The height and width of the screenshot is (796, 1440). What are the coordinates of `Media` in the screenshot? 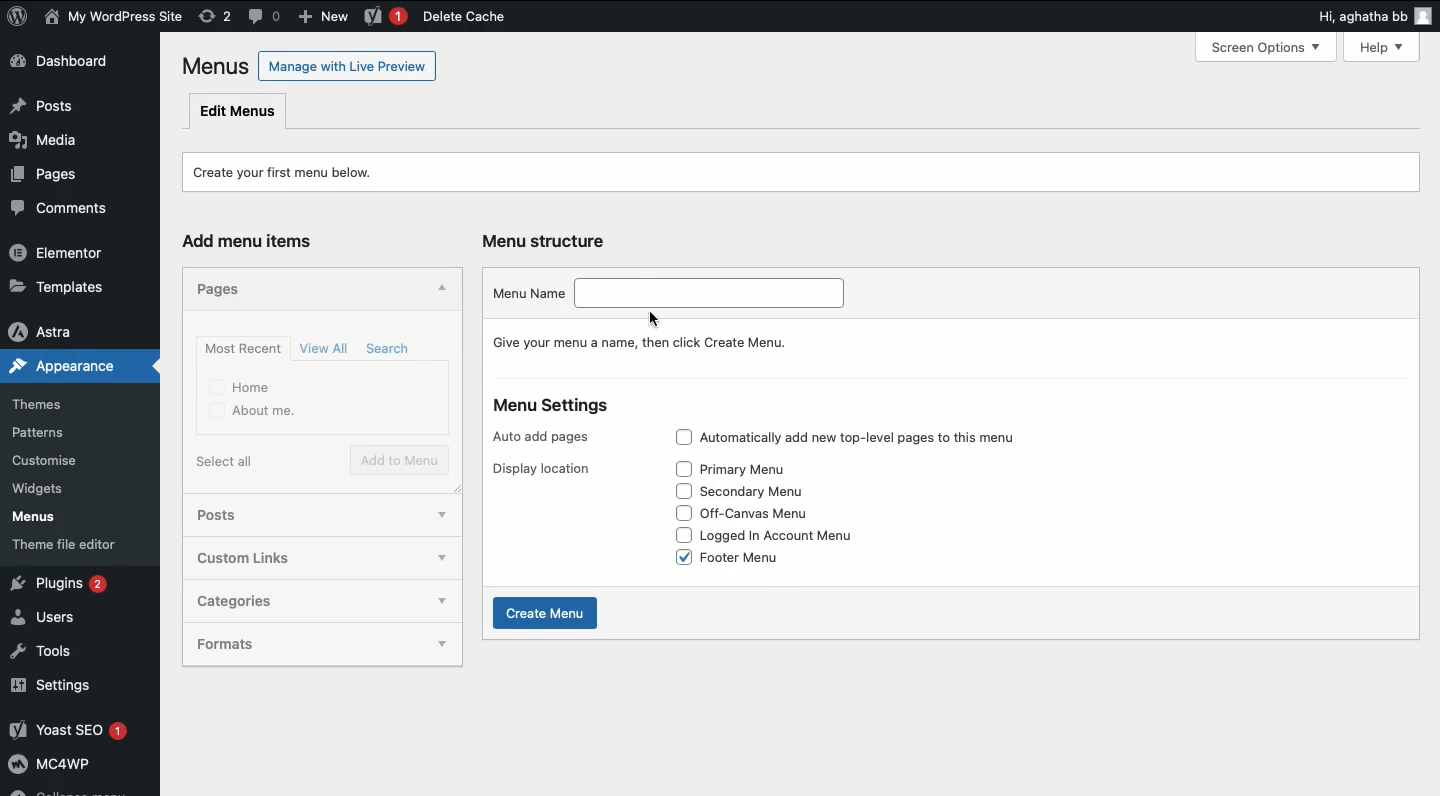 It's located at (54, 145).